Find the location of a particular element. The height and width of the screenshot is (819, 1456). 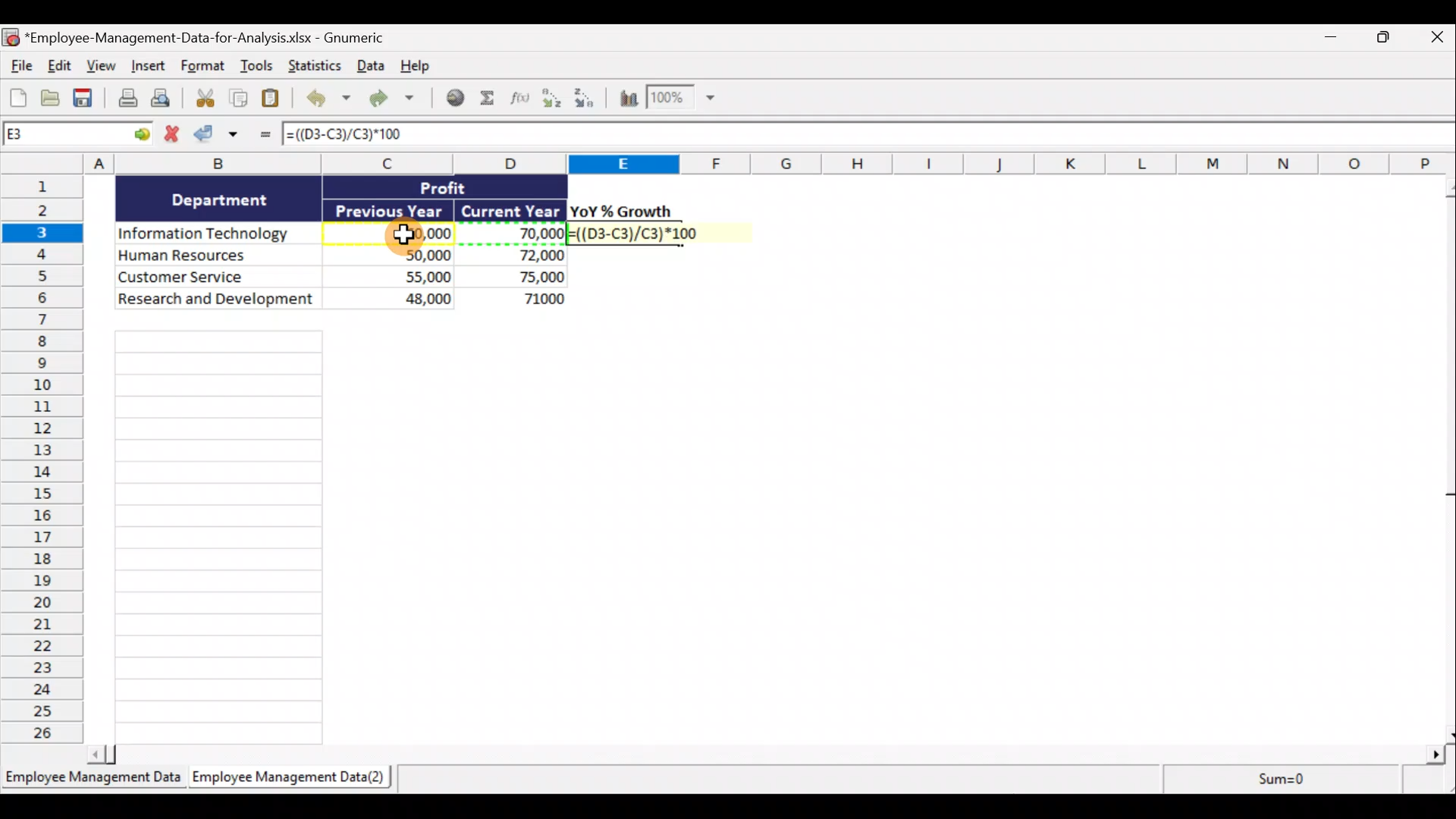

Paste clipboard is located at coordinates (274, 99).